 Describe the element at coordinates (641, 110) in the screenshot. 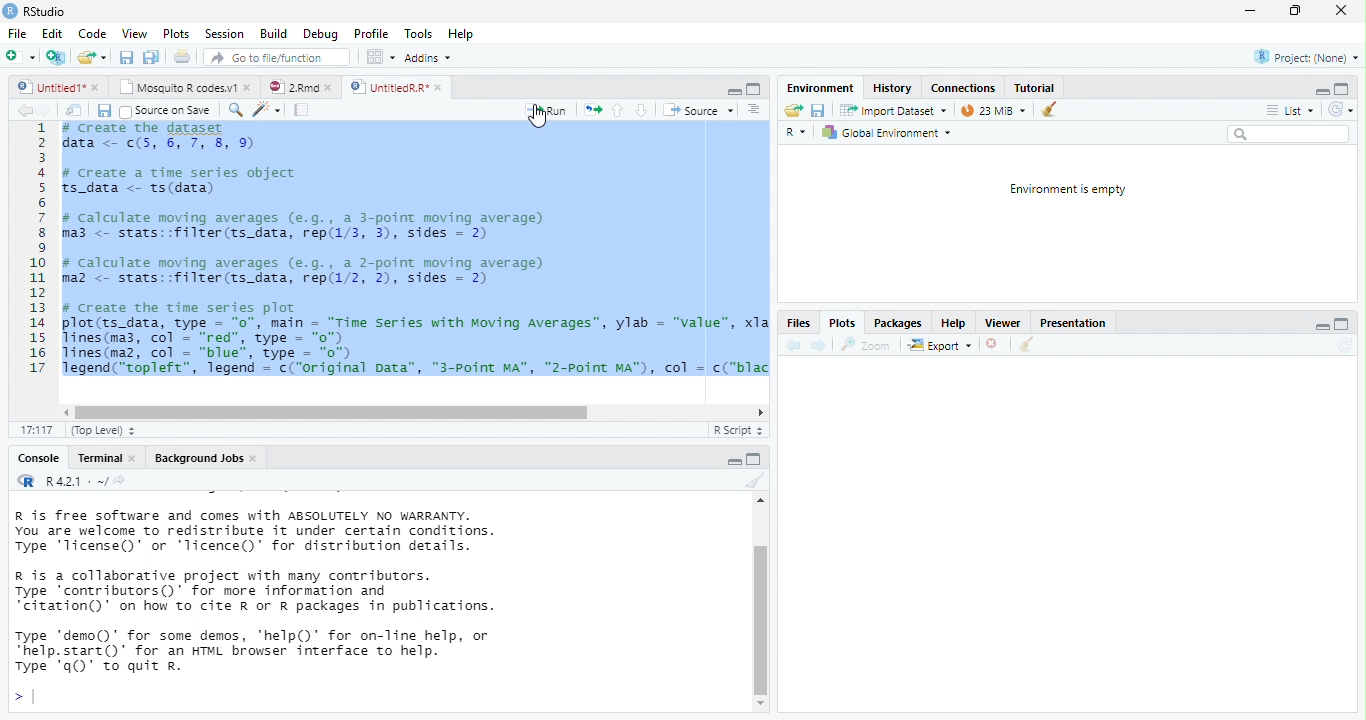

I see `down` at that location.